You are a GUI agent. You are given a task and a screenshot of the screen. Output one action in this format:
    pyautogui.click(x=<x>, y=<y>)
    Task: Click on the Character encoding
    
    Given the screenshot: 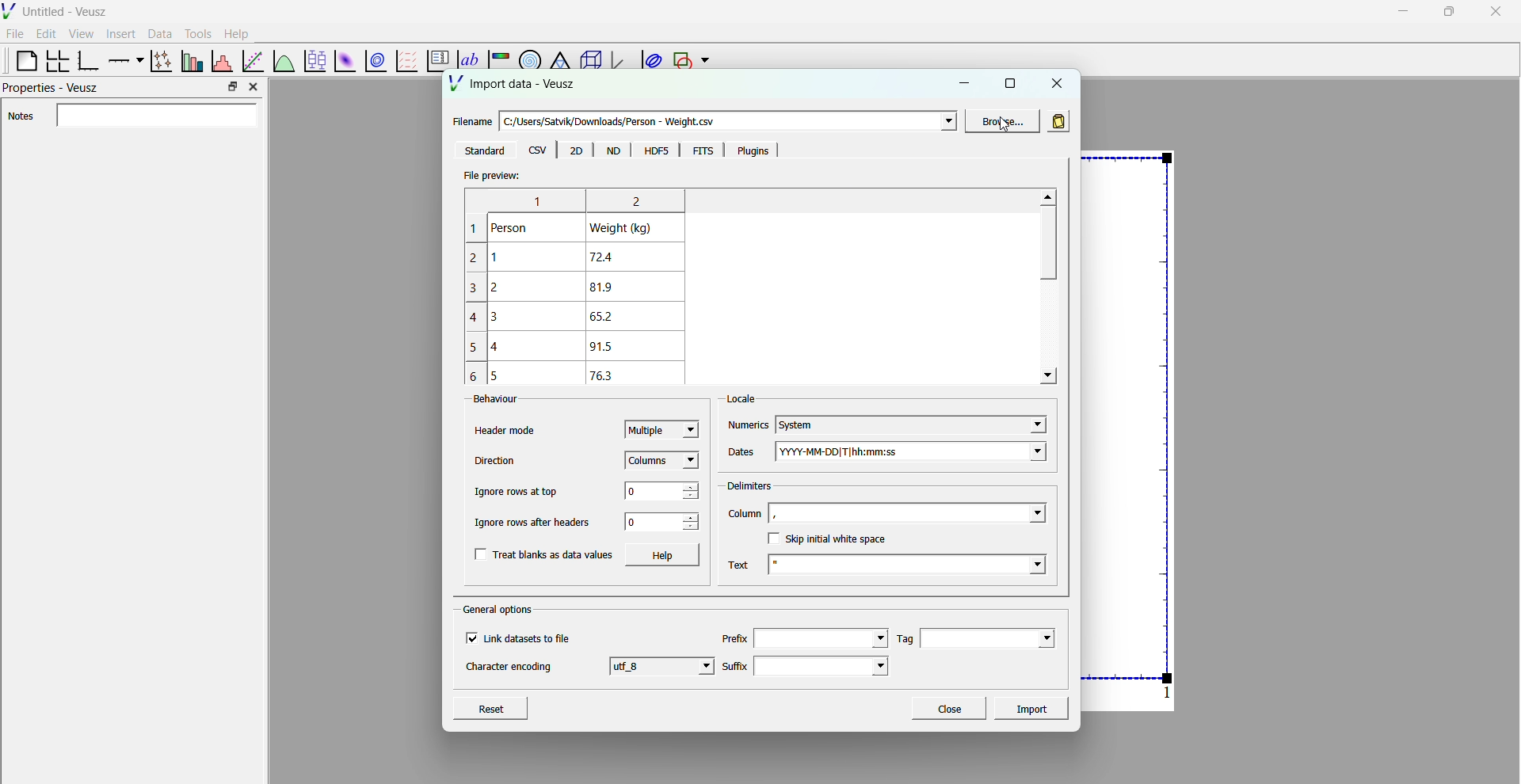 What is the action you would take?
    pyautogui.click(x=510, y=670)
    